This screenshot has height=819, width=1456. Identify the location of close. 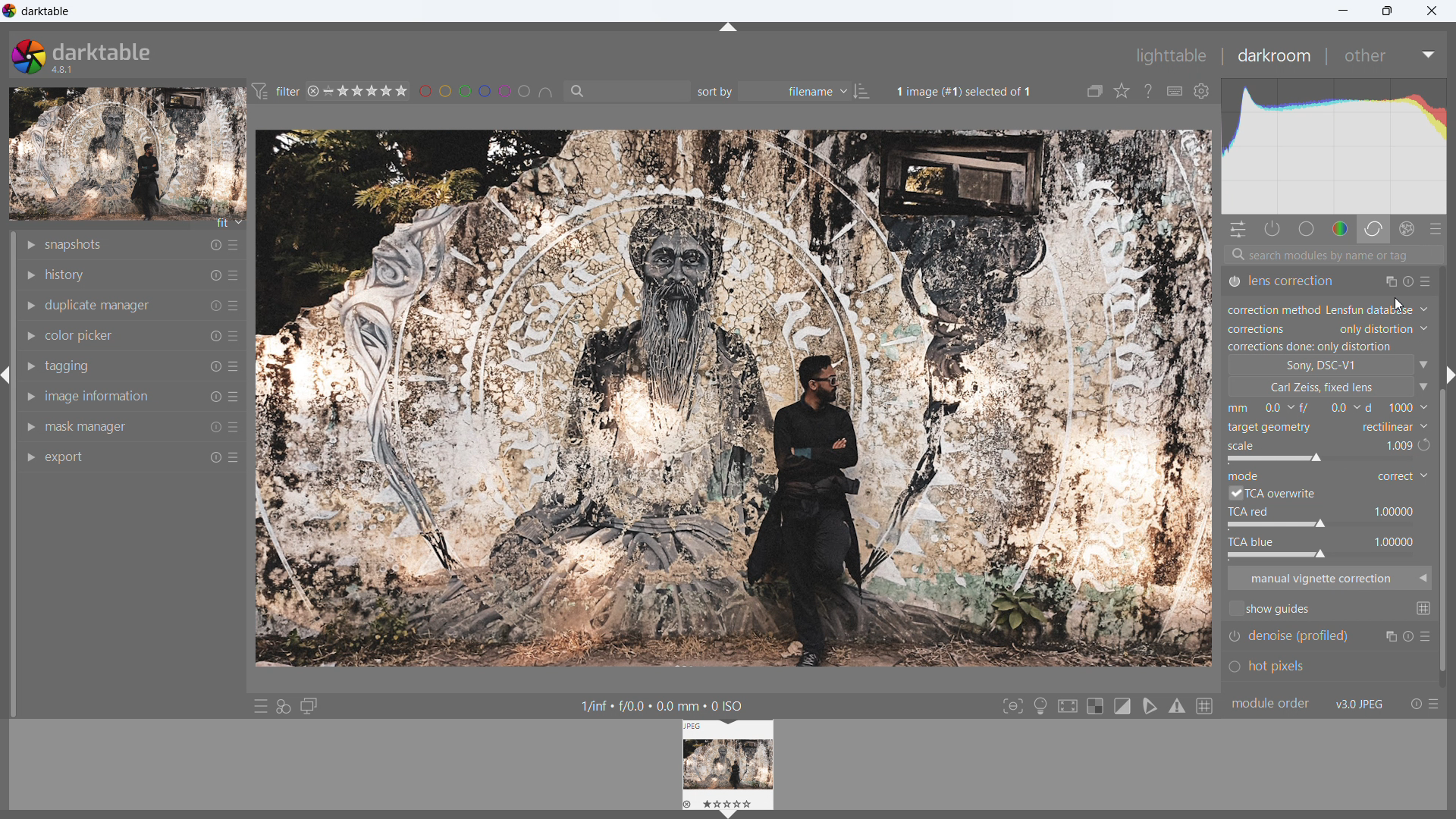
(1431, 11).